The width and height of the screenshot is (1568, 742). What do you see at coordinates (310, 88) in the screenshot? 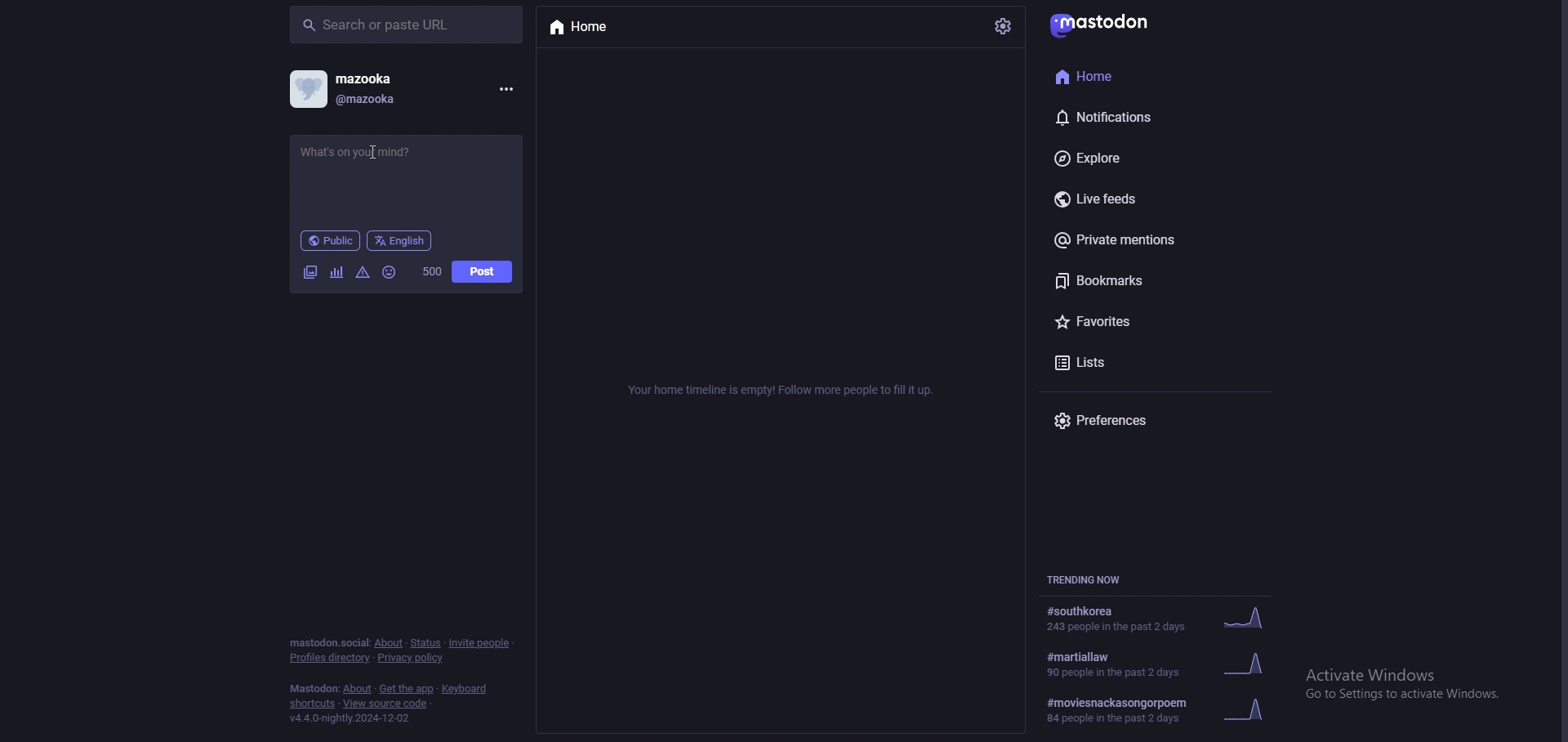
I see `profile picture` at bounding box center [310, 88].